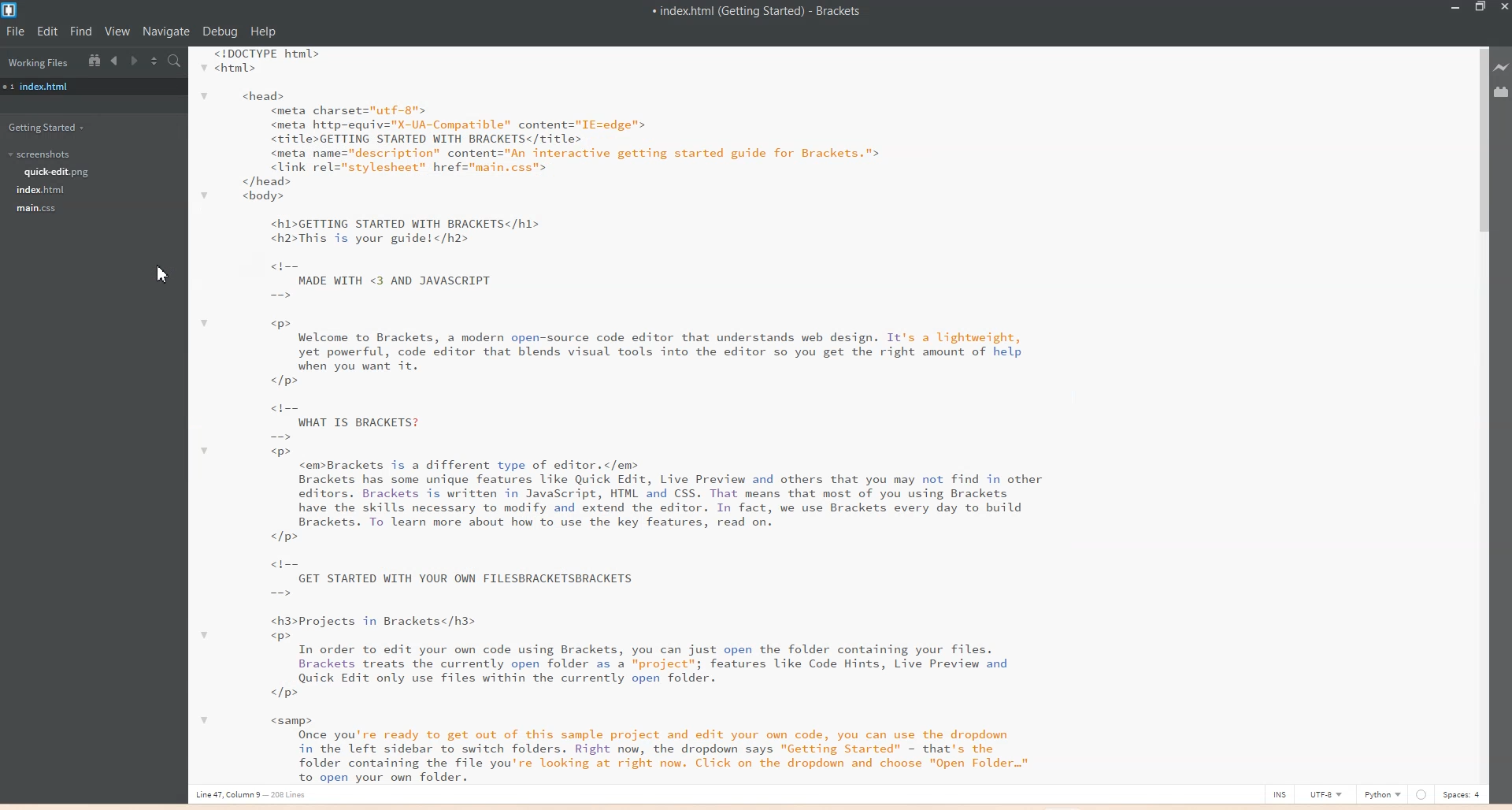  What do you see at coordinates (155, 61) in the screenshot?
I see `Split the editor vertically or Horizontally` at bounding box center [155, 61].